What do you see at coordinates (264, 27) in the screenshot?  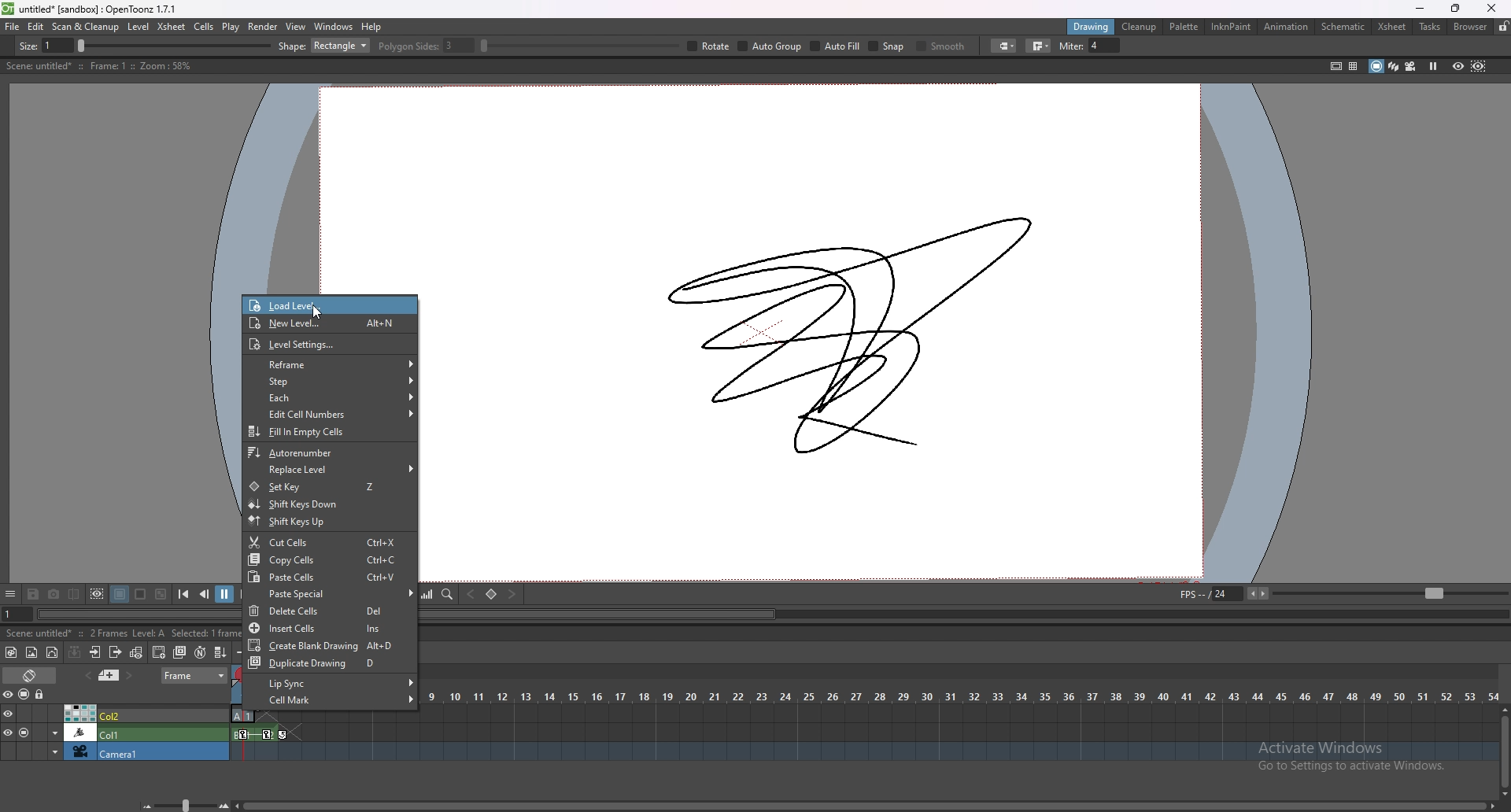 I see `render` at bounding box center [264, 27].